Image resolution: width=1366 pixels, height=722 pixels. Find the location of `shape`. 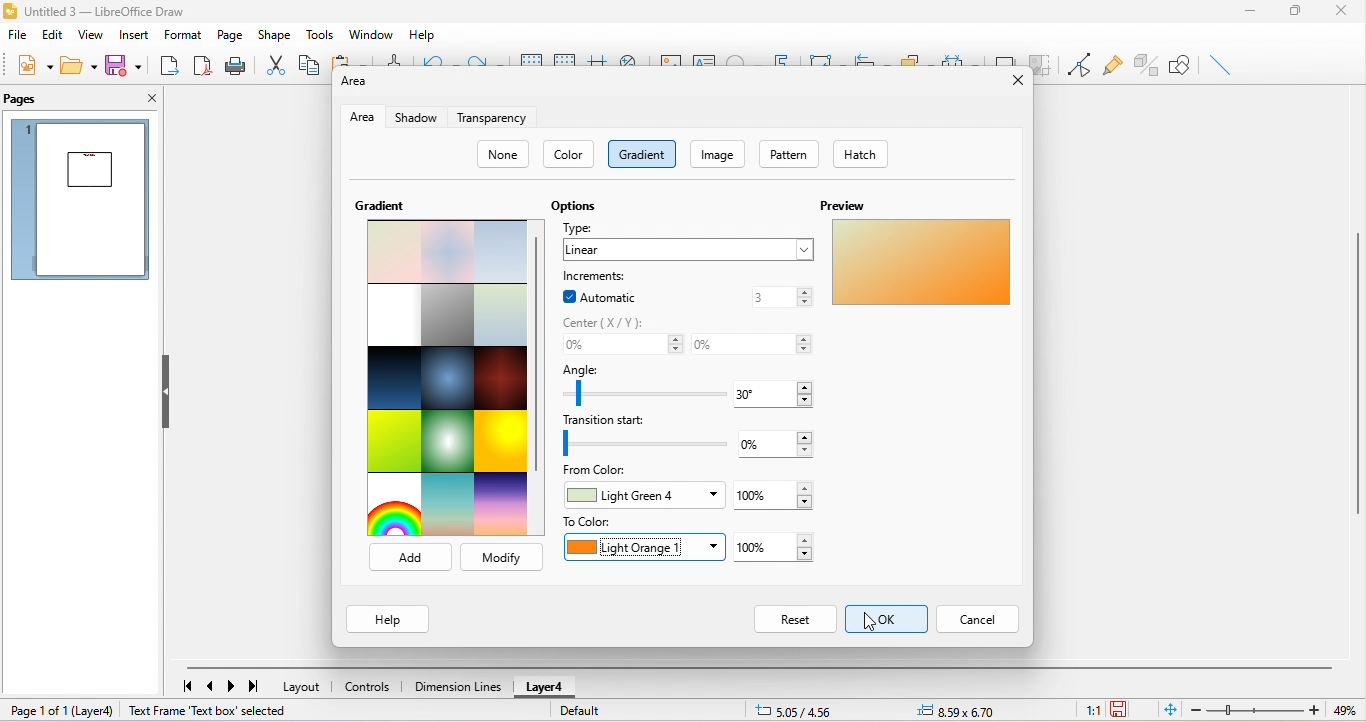

shape is located at coordinates (273, 33).